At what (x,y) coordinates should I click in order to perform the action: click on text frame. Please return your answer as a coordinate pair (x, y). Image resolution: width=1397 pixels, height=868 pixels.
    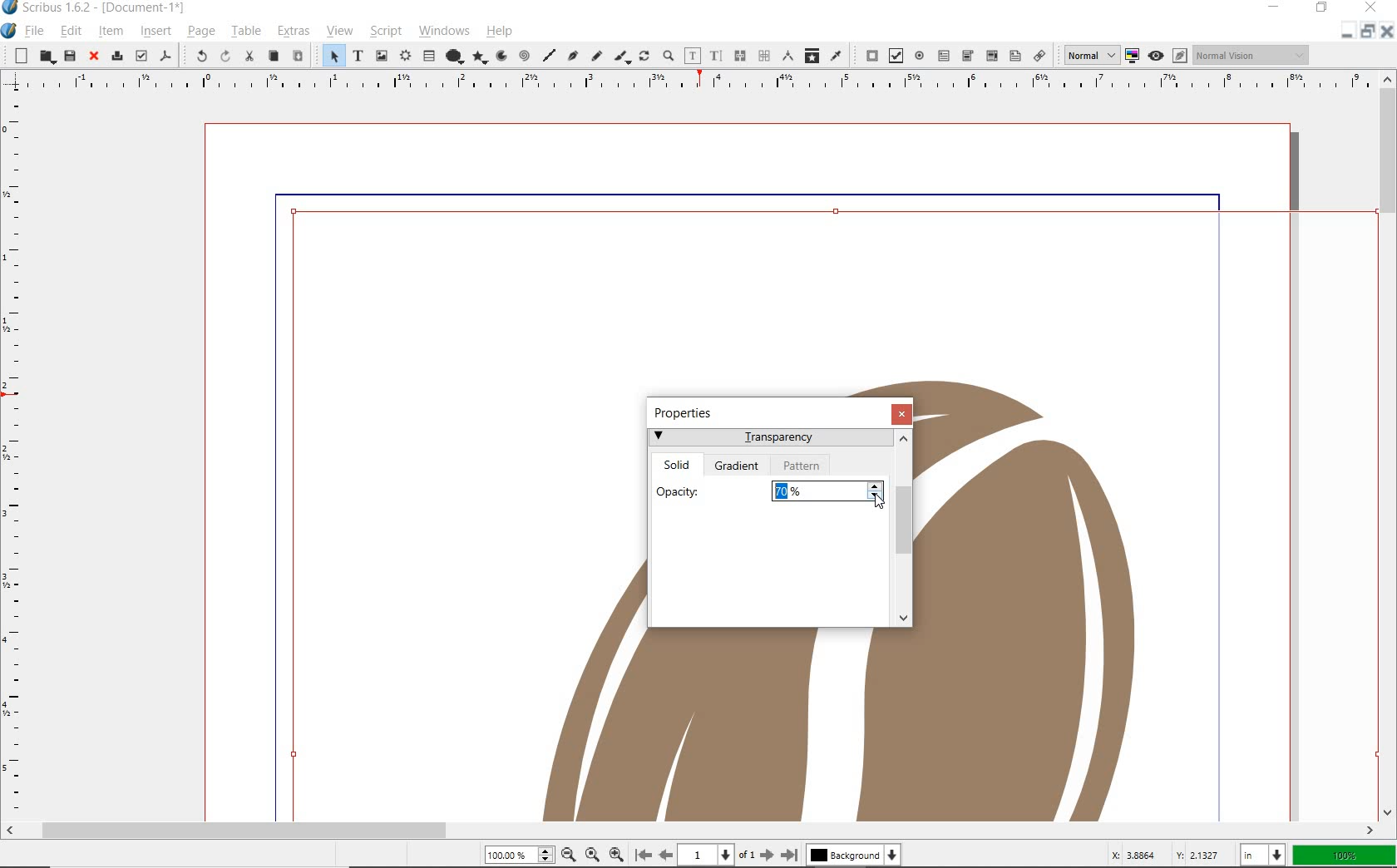
    Looking at the image, I should click on (358, 55).